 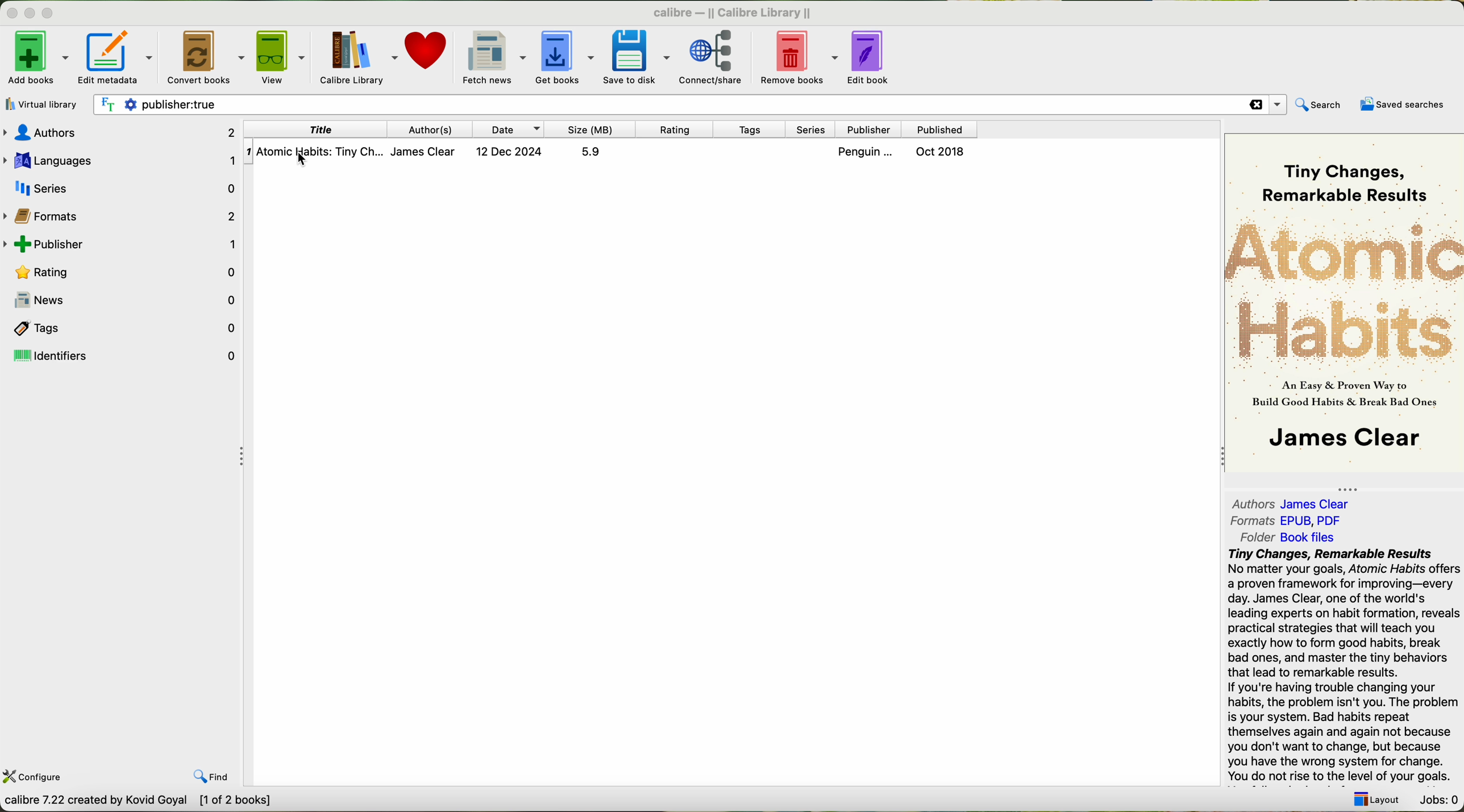 I want to click on book cover preview, so click(x=1343, y=302).